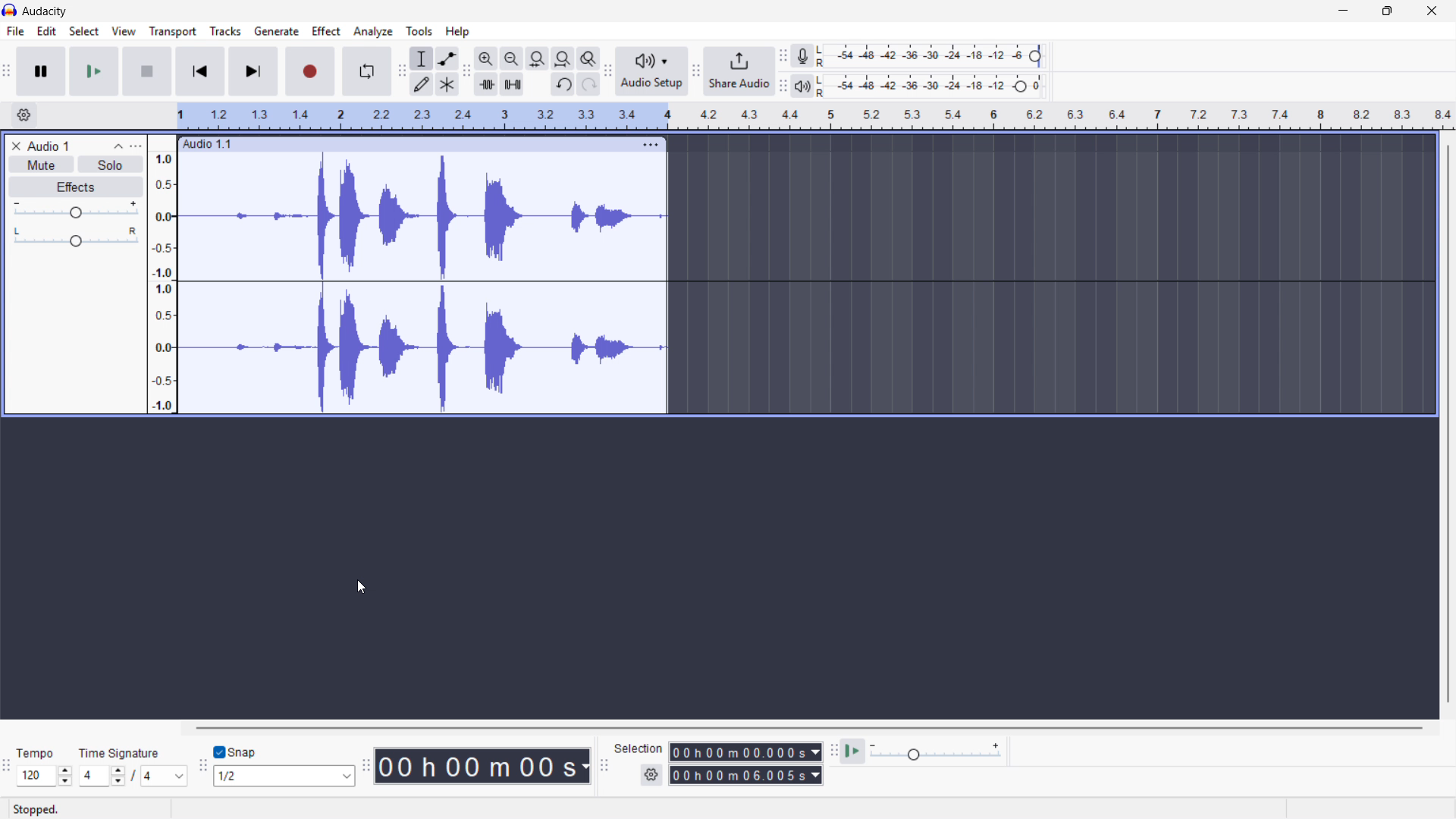 The height and width of the screenshot is (819, 1456). Describe the element at coordinates (745, 752) in the screenshot. I see `Start time of selection` at that location.